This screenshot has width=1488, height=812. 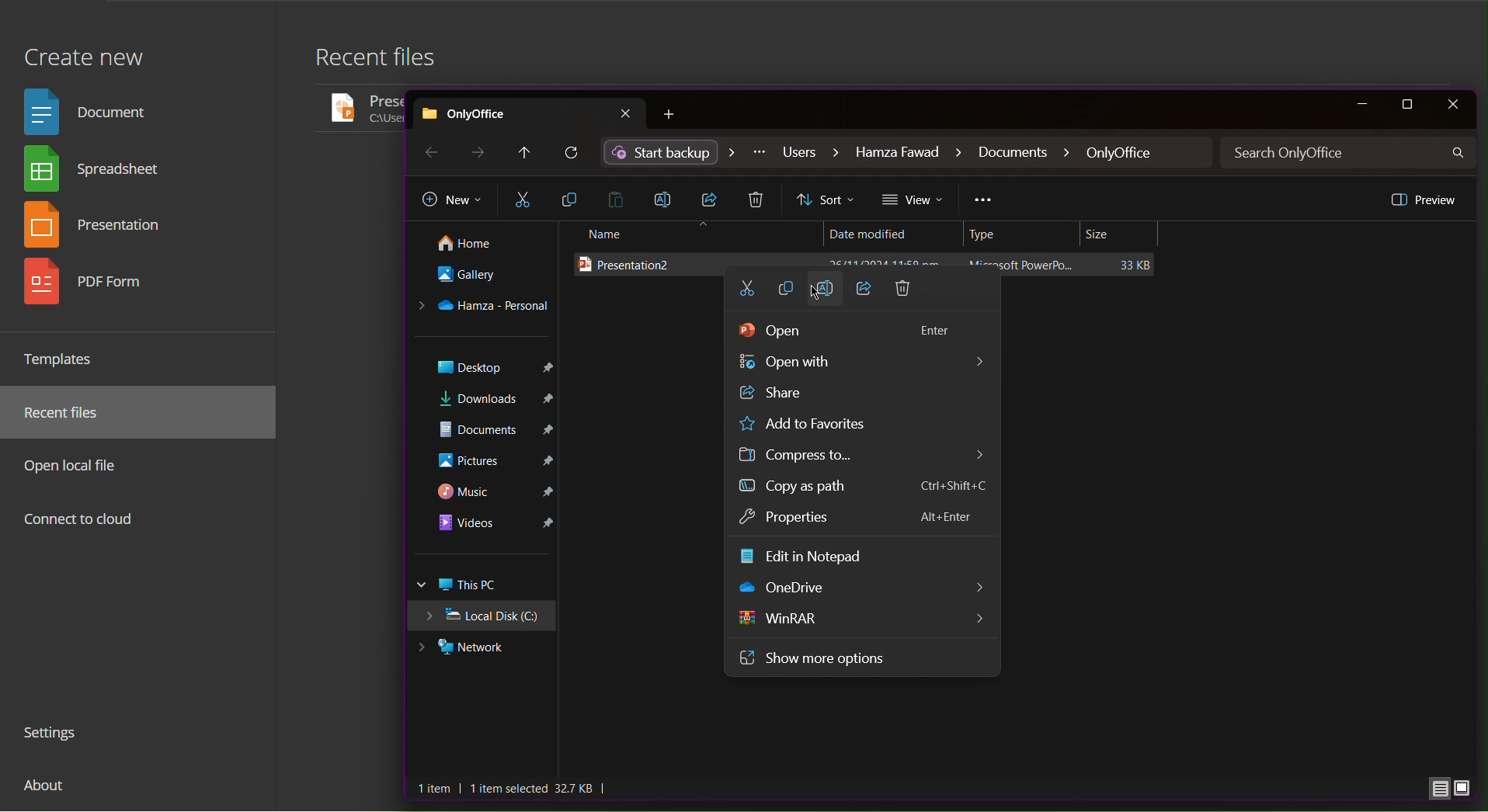 I want to click on Delete, so click(x=903, y=297).